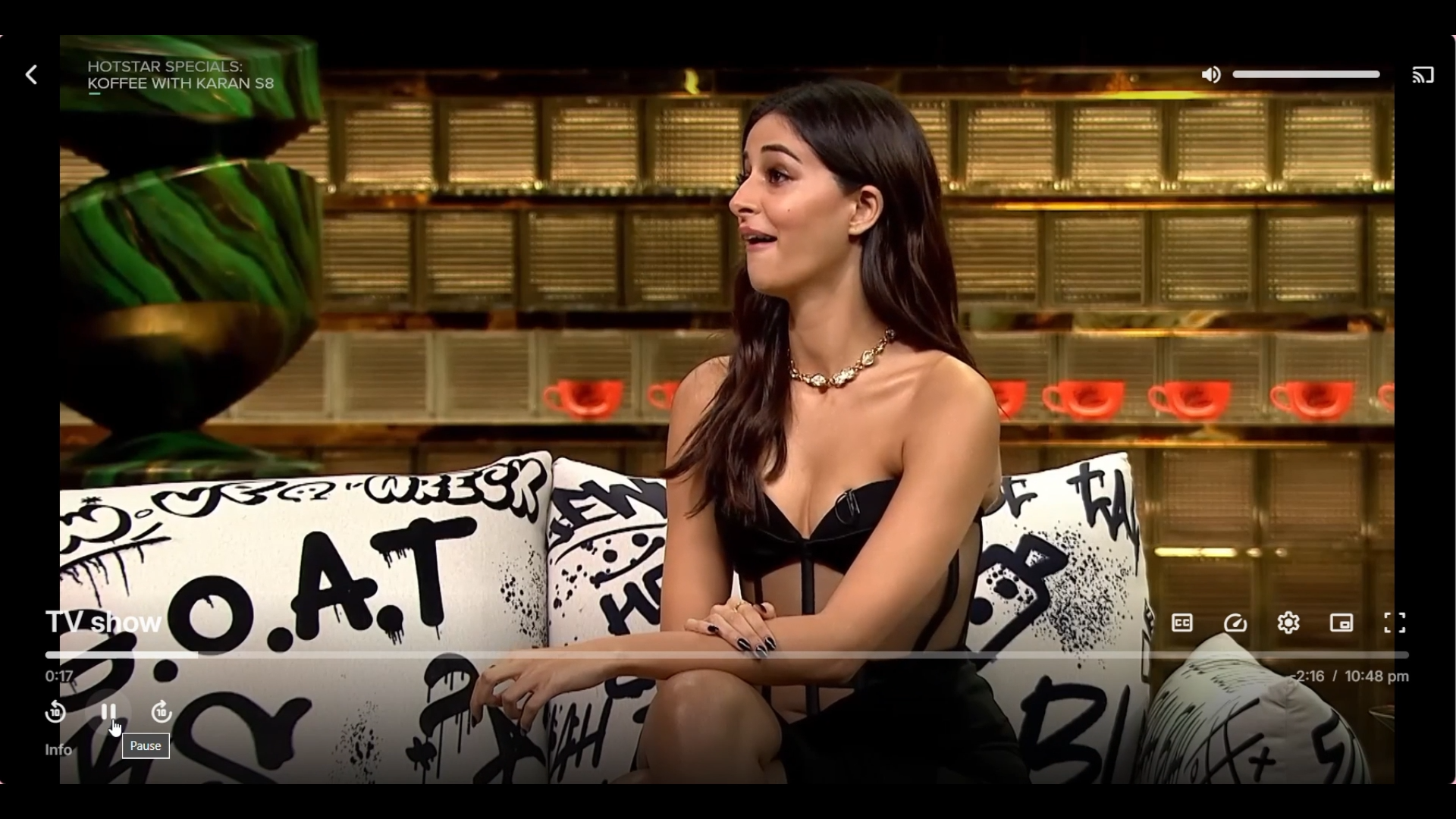 This screenshot has height=819, width=1456. What do you see at coordinates (162, 712) in the screenshot?
I see `Fast forward by 10 seconds` at bounding box center [162, 712].